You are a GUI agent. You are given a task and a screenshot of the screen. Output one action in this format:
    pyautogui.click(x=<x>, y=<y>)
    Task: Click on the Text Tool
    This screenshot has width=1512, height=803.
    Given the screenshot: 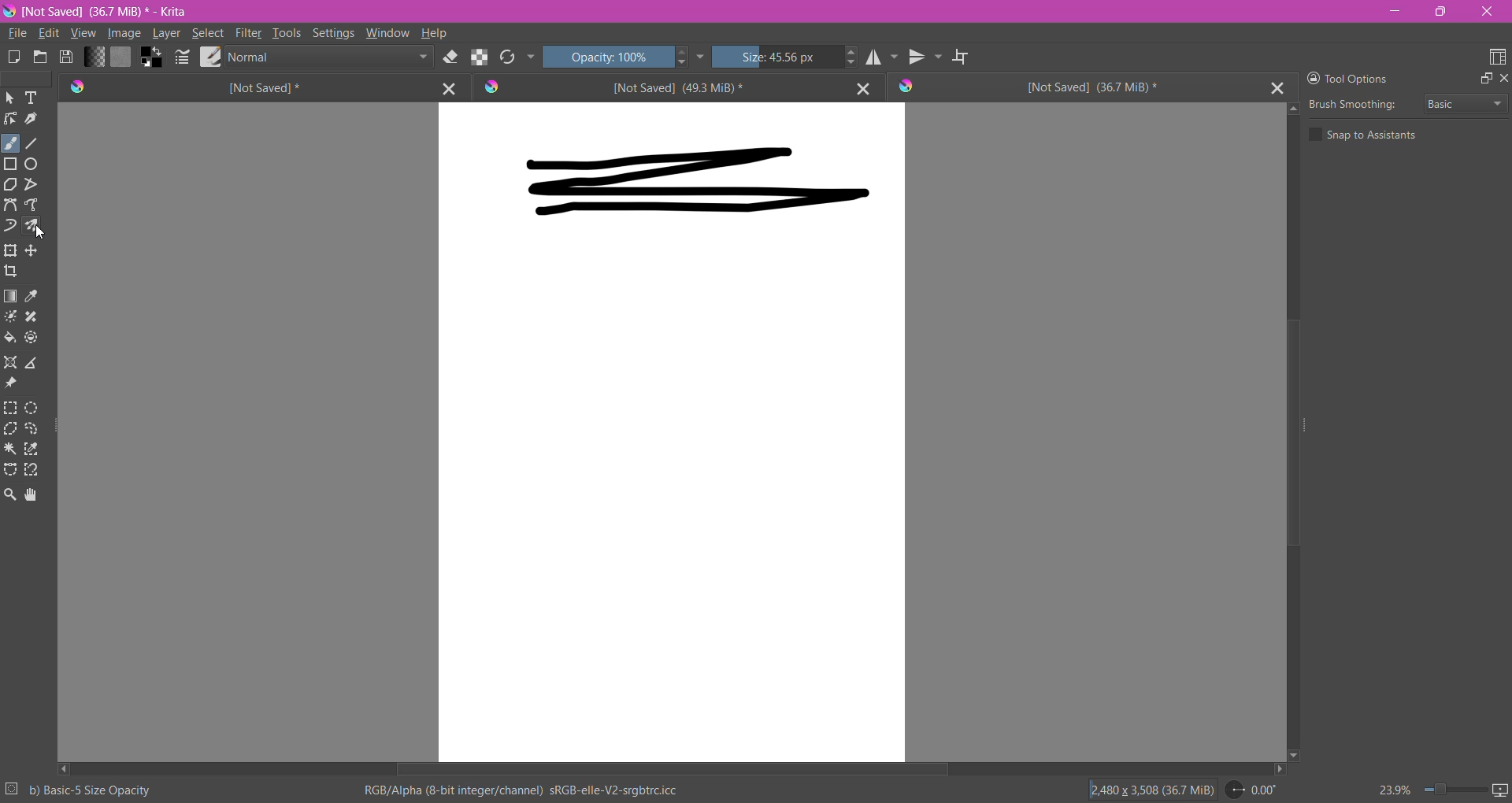 What is the action you would take?
    pyautogui.click(x=31, y=98)
    